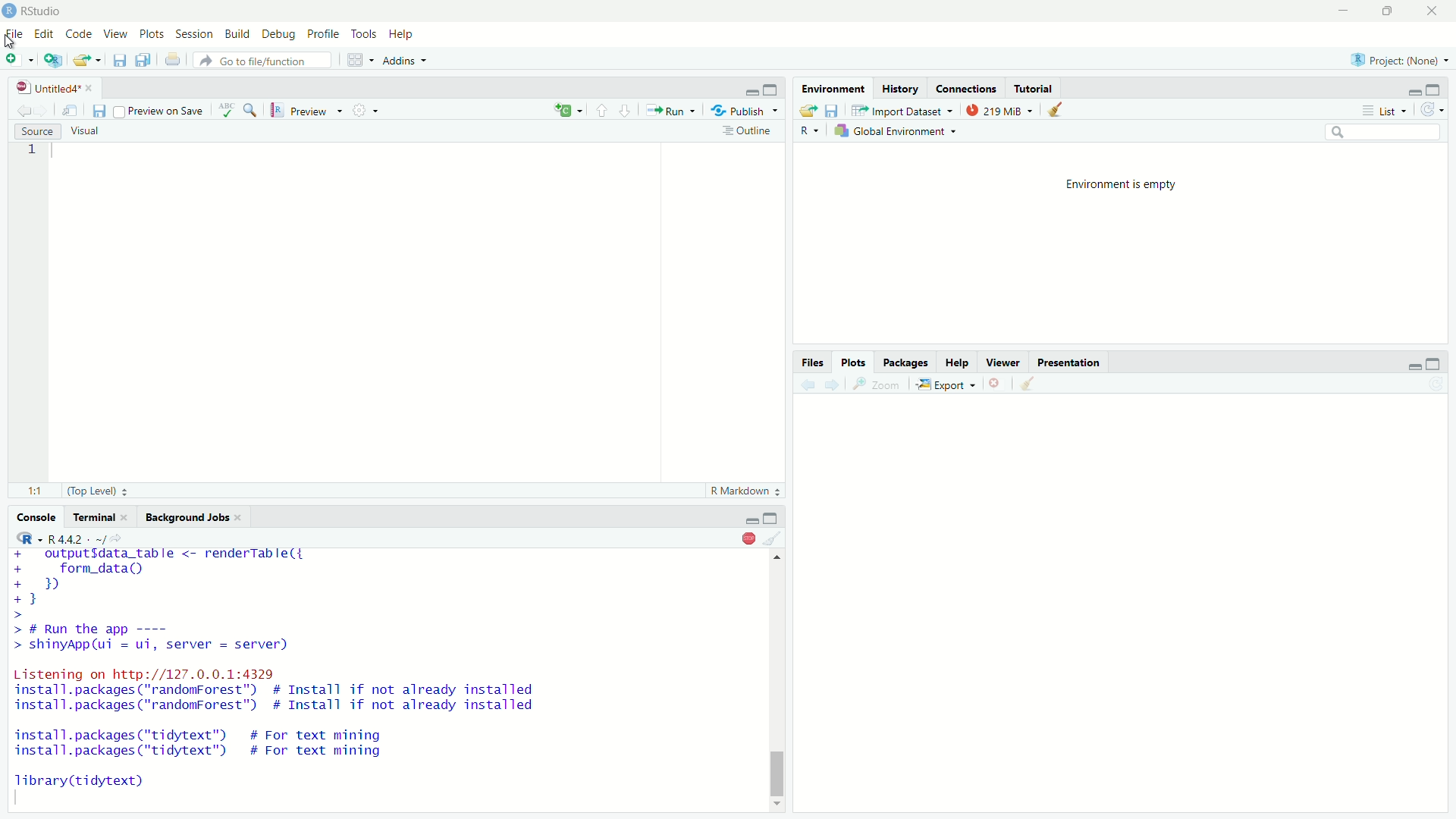 This screenshot has width=1456, height=819. I want to click on List view, so click(1384, 109).